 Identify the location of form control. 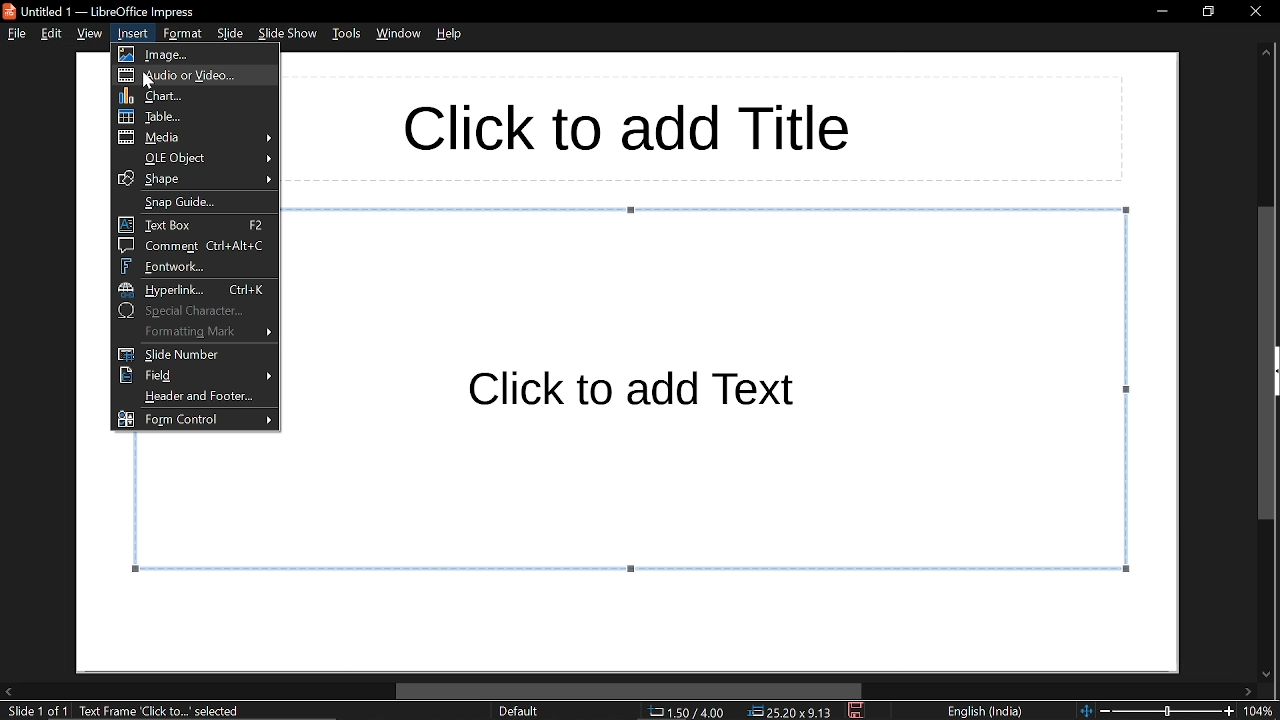
(196, 418).